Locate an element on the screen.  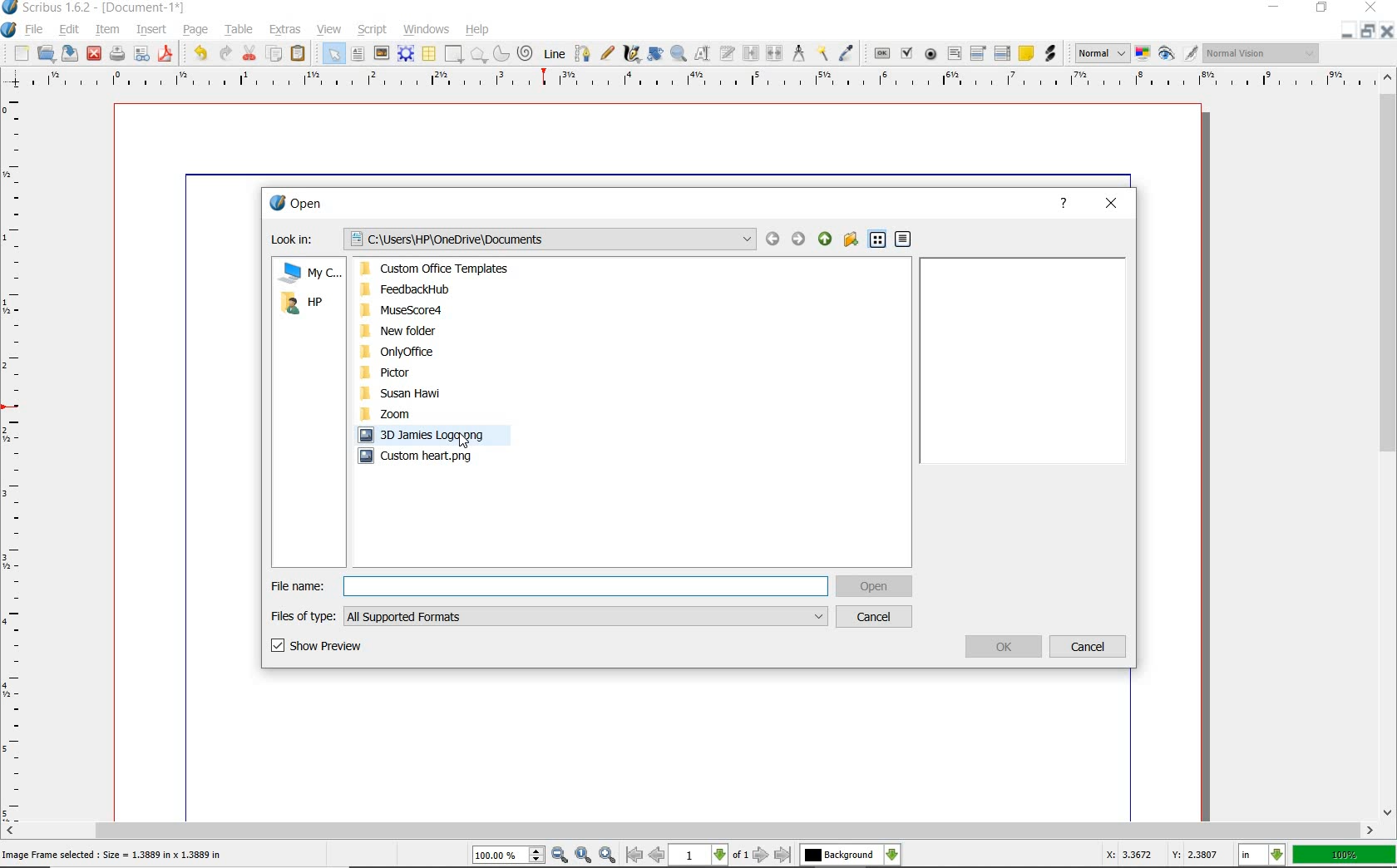
Custom Office Templates is located at coordinates (442, 270).